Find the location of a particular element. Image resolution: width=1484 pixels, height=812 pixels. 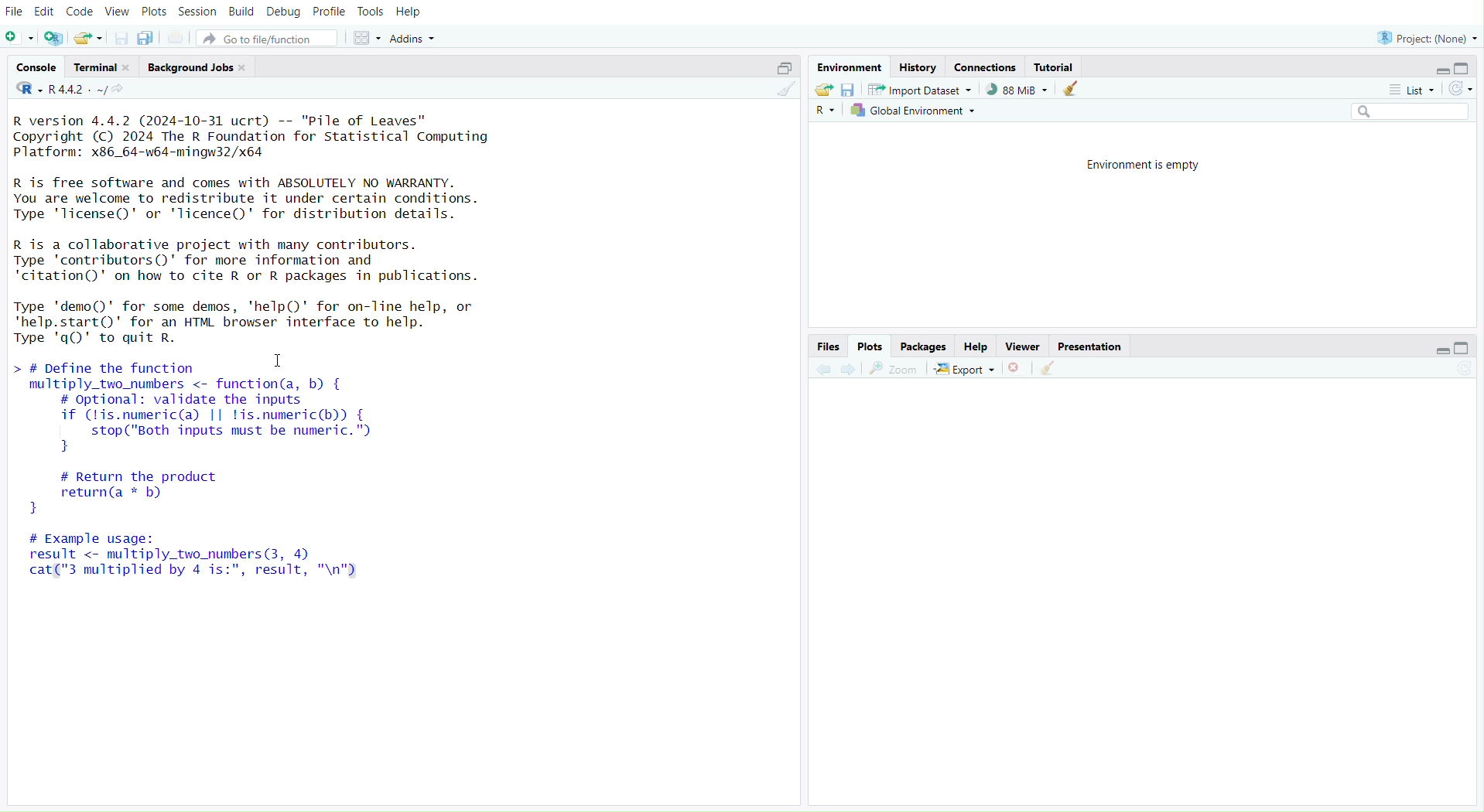

Print the current file is located at coordinates (180, 37).